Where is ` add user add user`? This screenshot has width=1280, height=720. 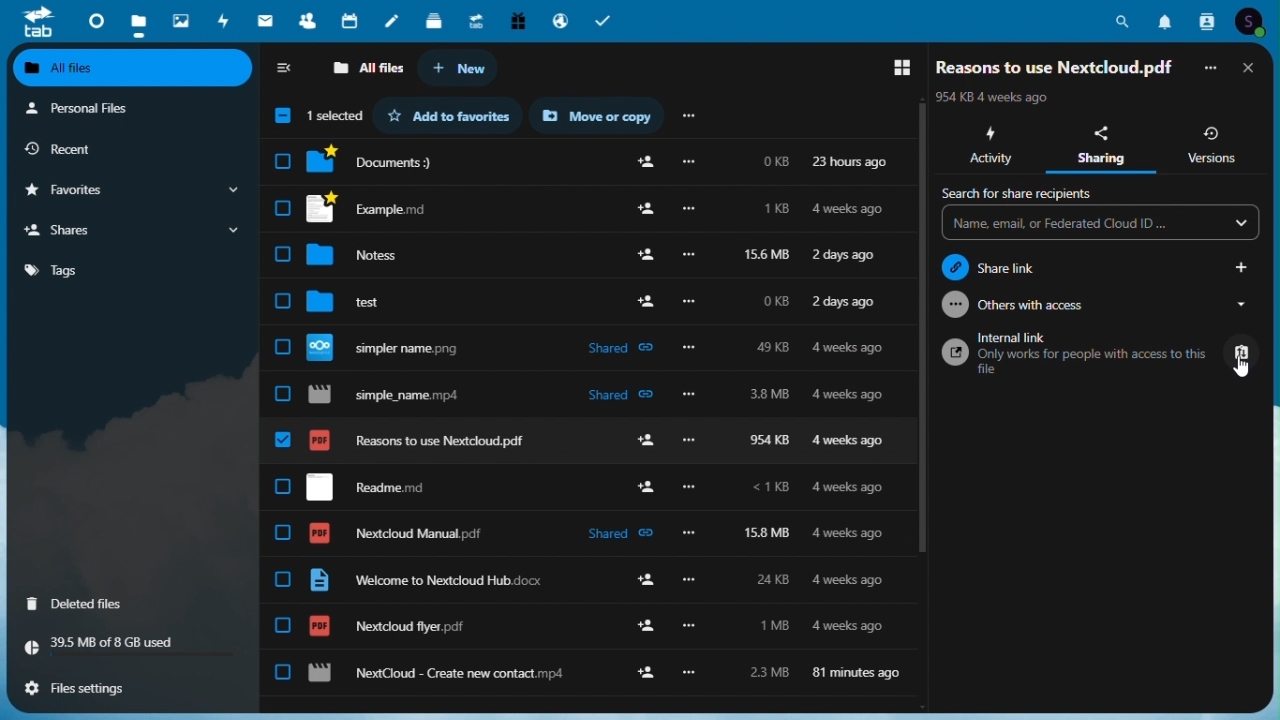
 add user add user is located at coordinates (646, 483).